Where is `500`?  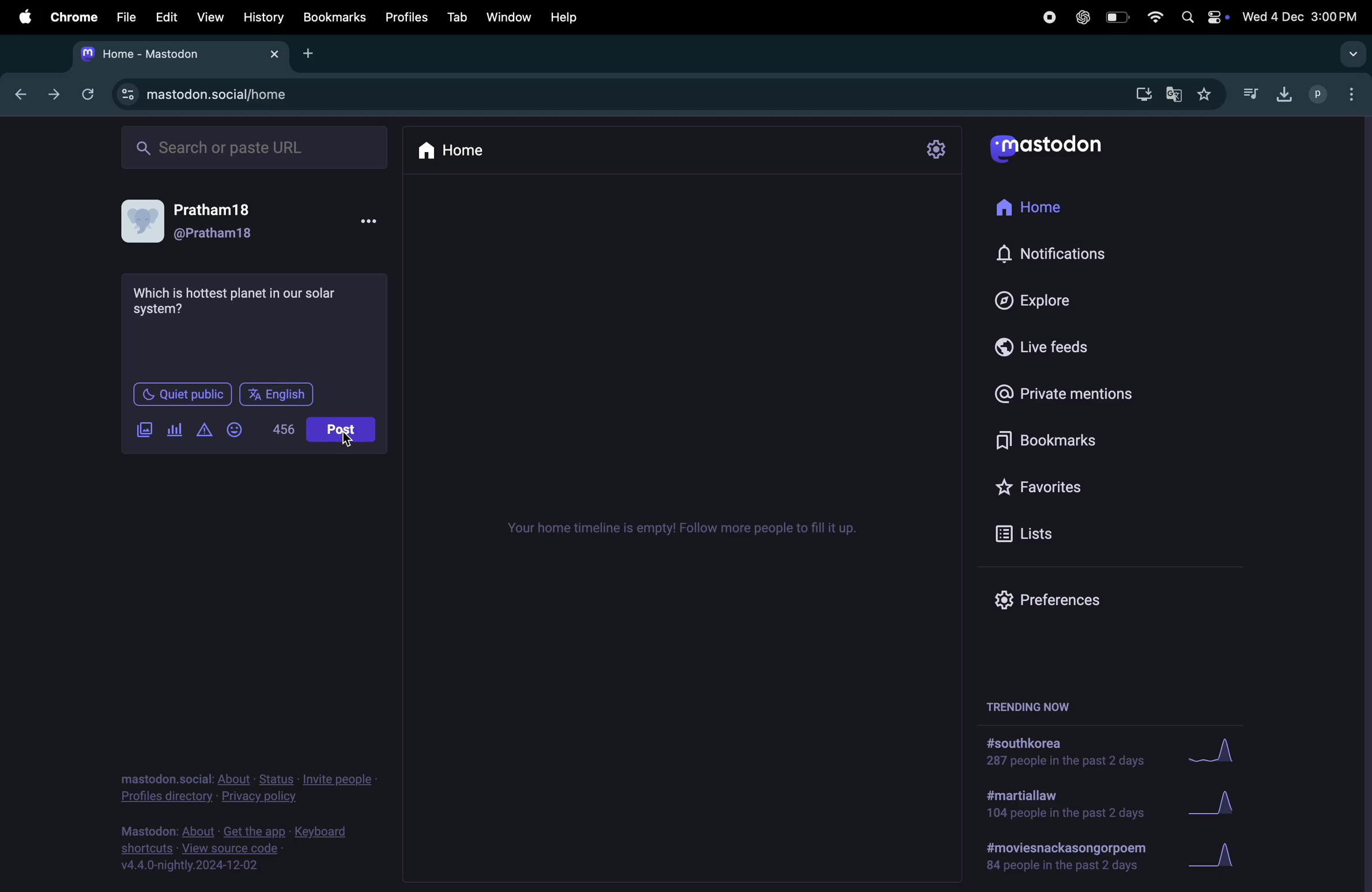 500 is located at coordinates (281, 429).